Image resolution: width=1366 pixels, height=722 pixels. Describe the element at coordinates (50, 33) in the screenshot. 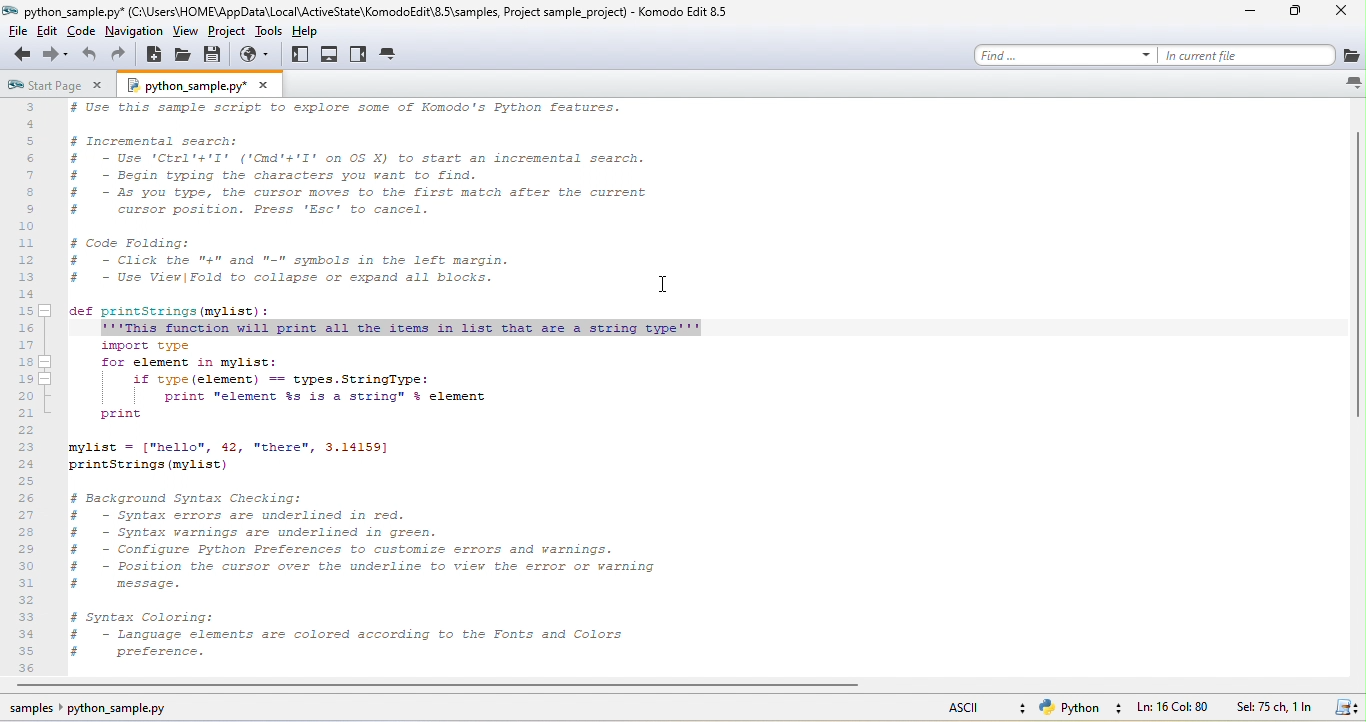

I see `edit` at that location.